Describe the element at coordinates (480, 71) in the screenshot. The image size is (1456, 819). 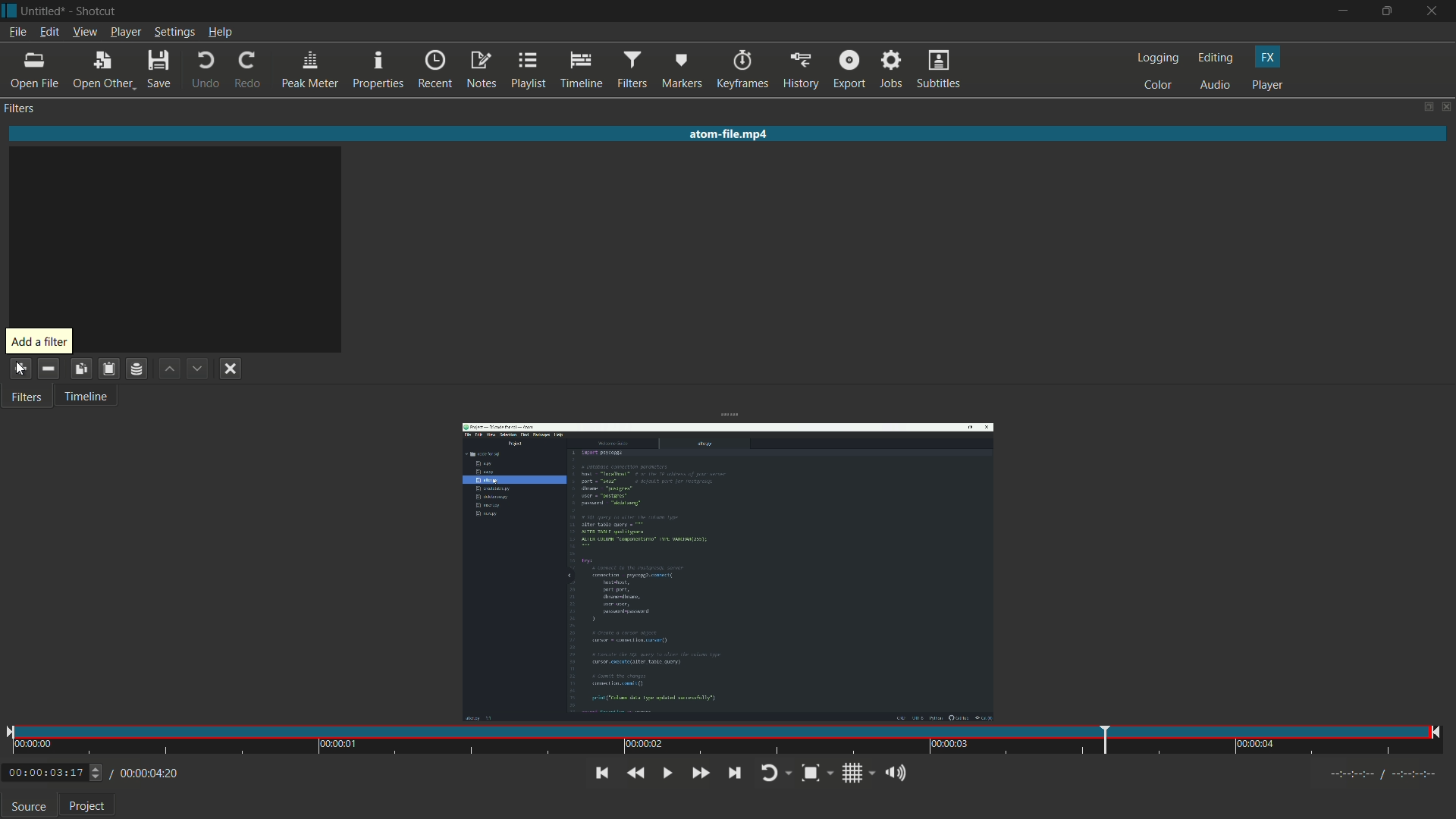
I see `notes` at that location.